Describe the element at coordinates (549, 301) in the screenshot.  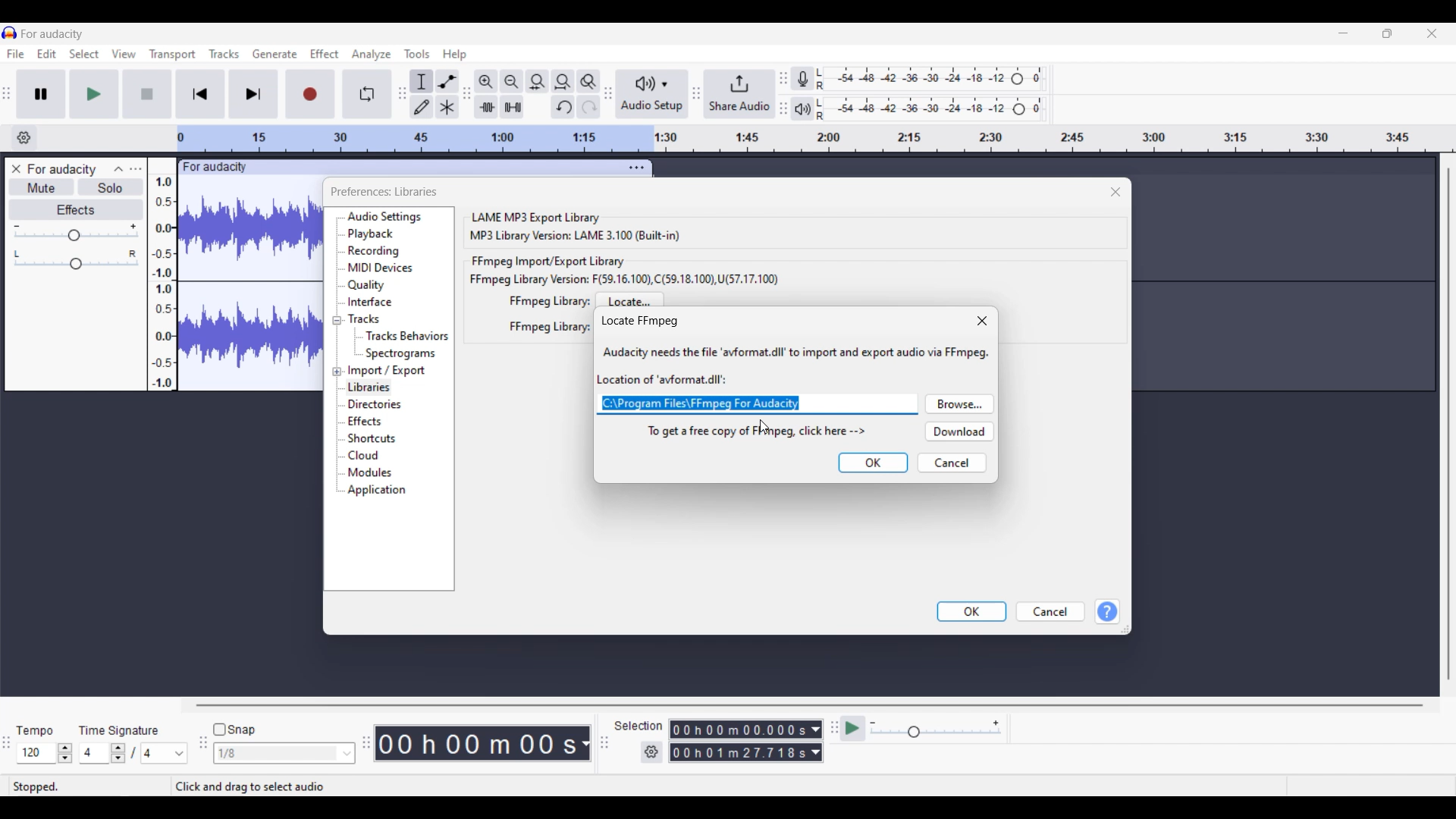
I see `FFmpeg library` at that location.